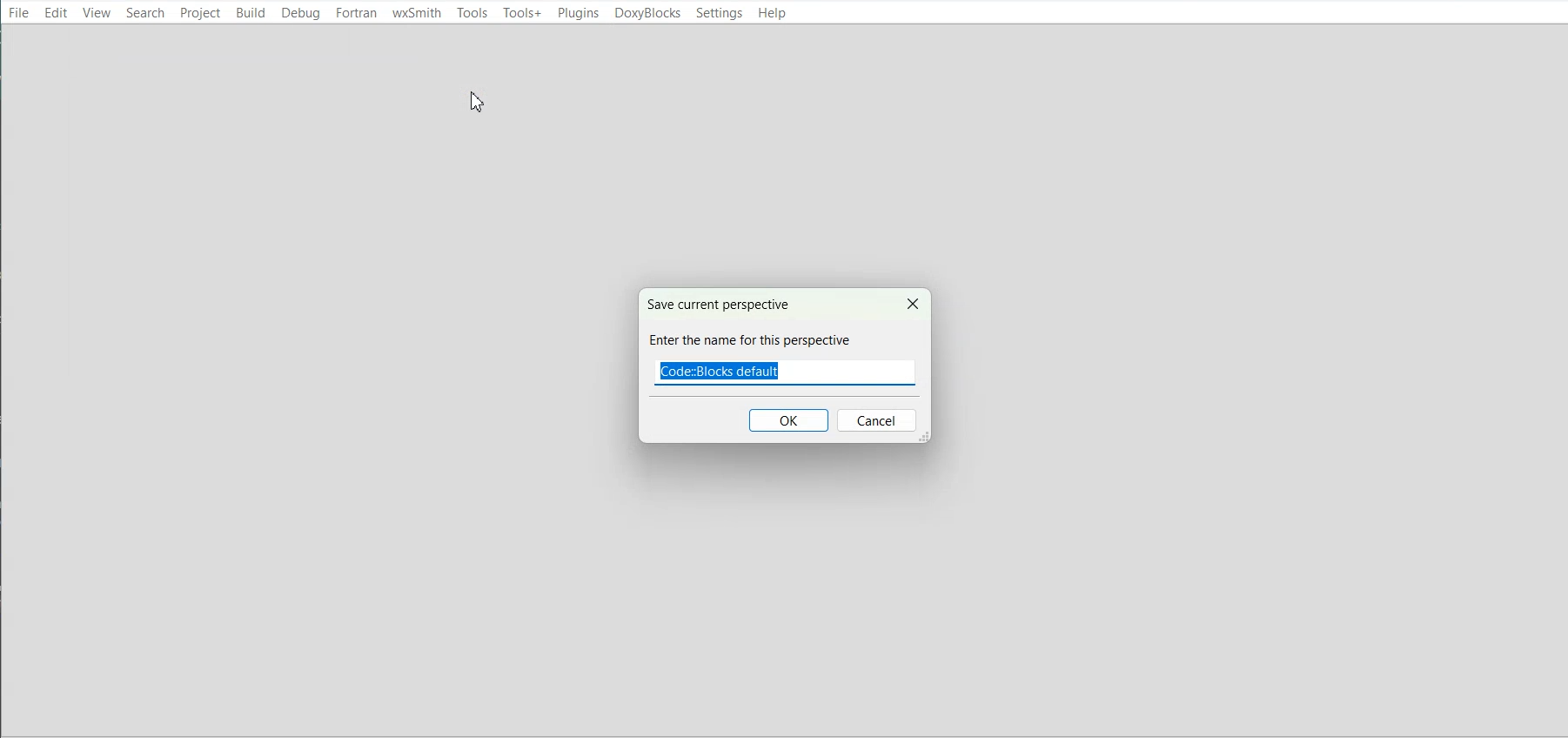  I want to click on Project, so click(199, 12).